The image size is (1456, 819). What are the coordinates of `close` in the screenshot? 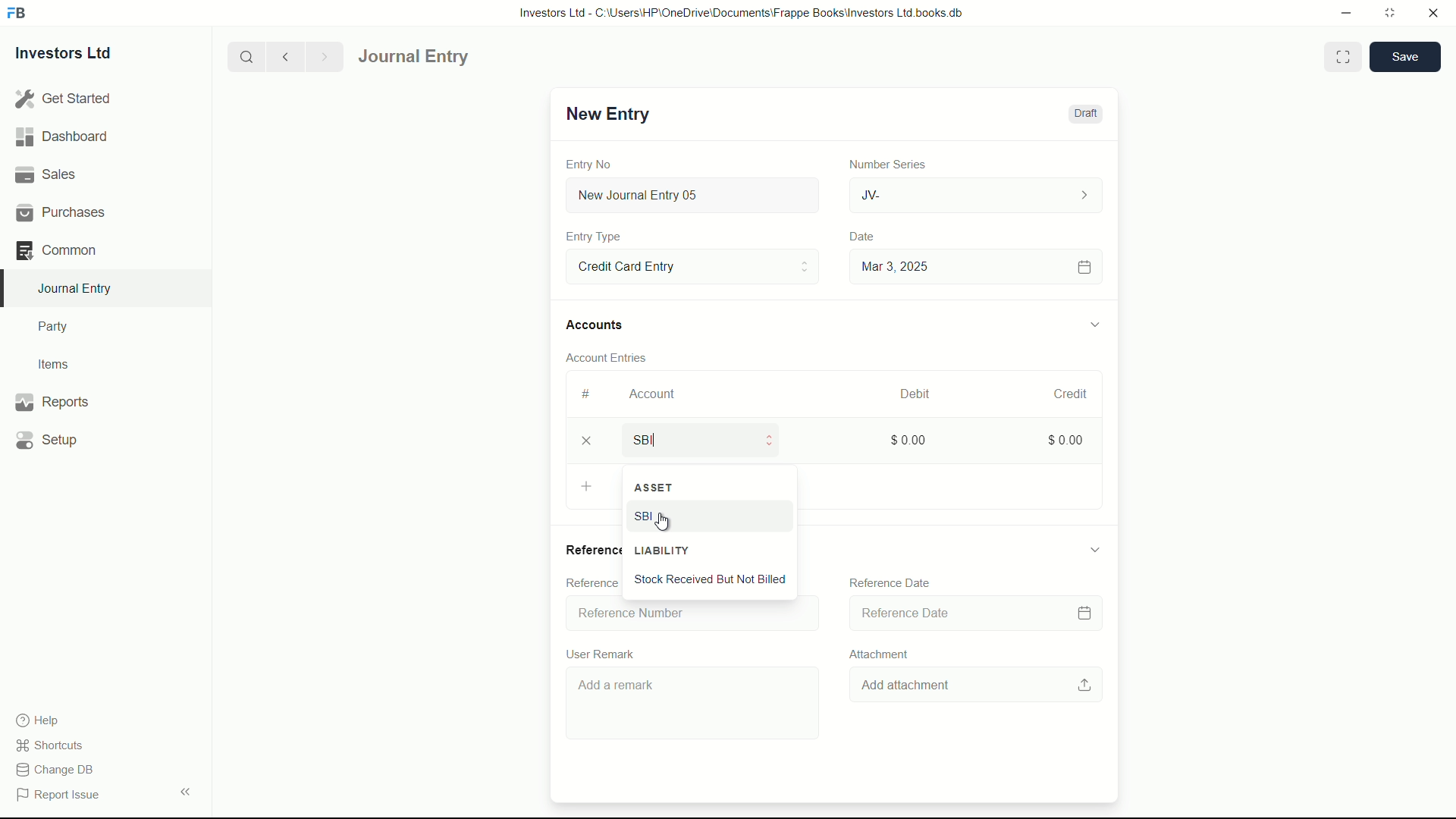 It's located at (1434, 14).